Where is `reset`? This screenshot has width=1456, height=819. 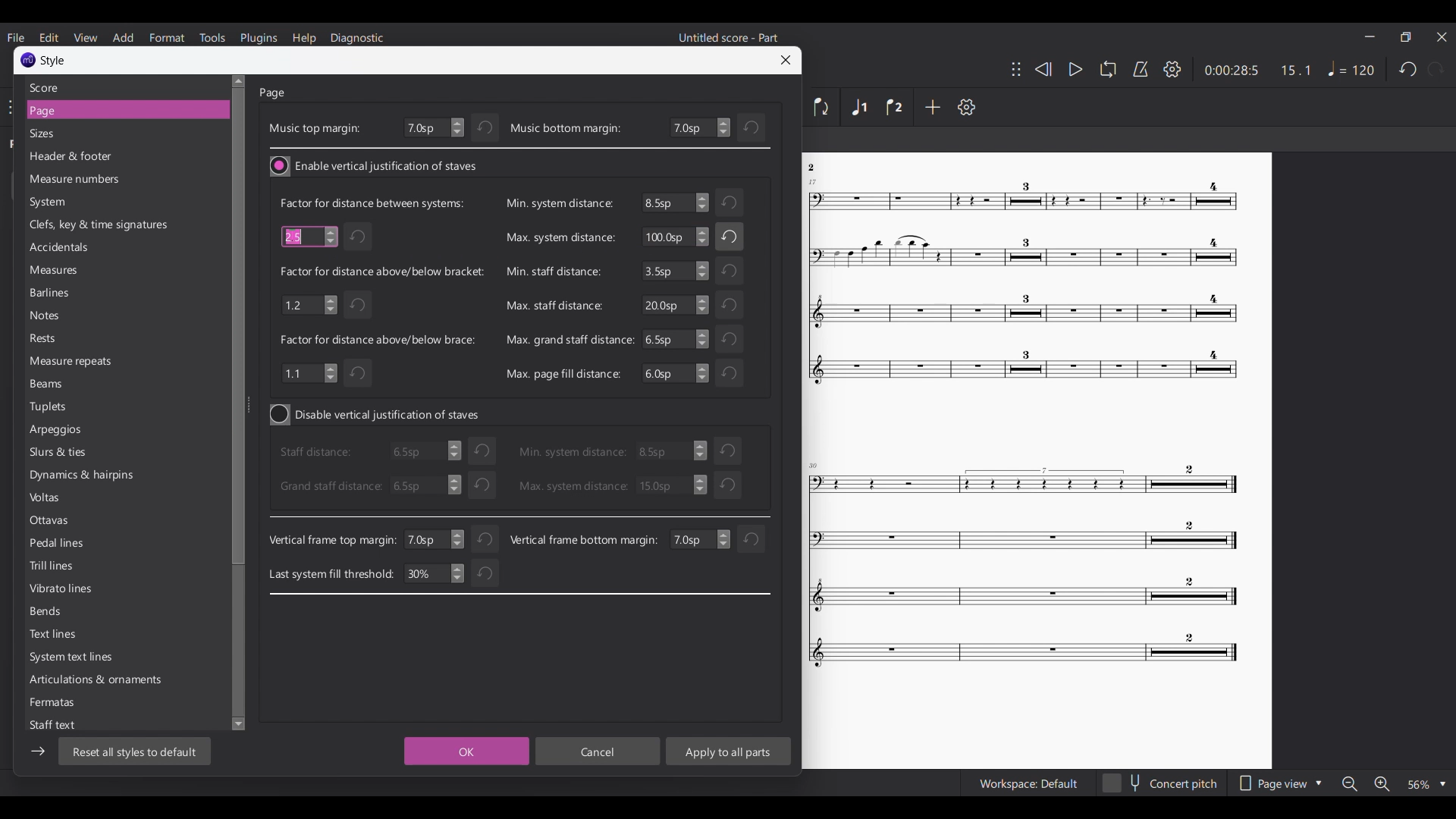 reset is located at coordinates (751, 539).